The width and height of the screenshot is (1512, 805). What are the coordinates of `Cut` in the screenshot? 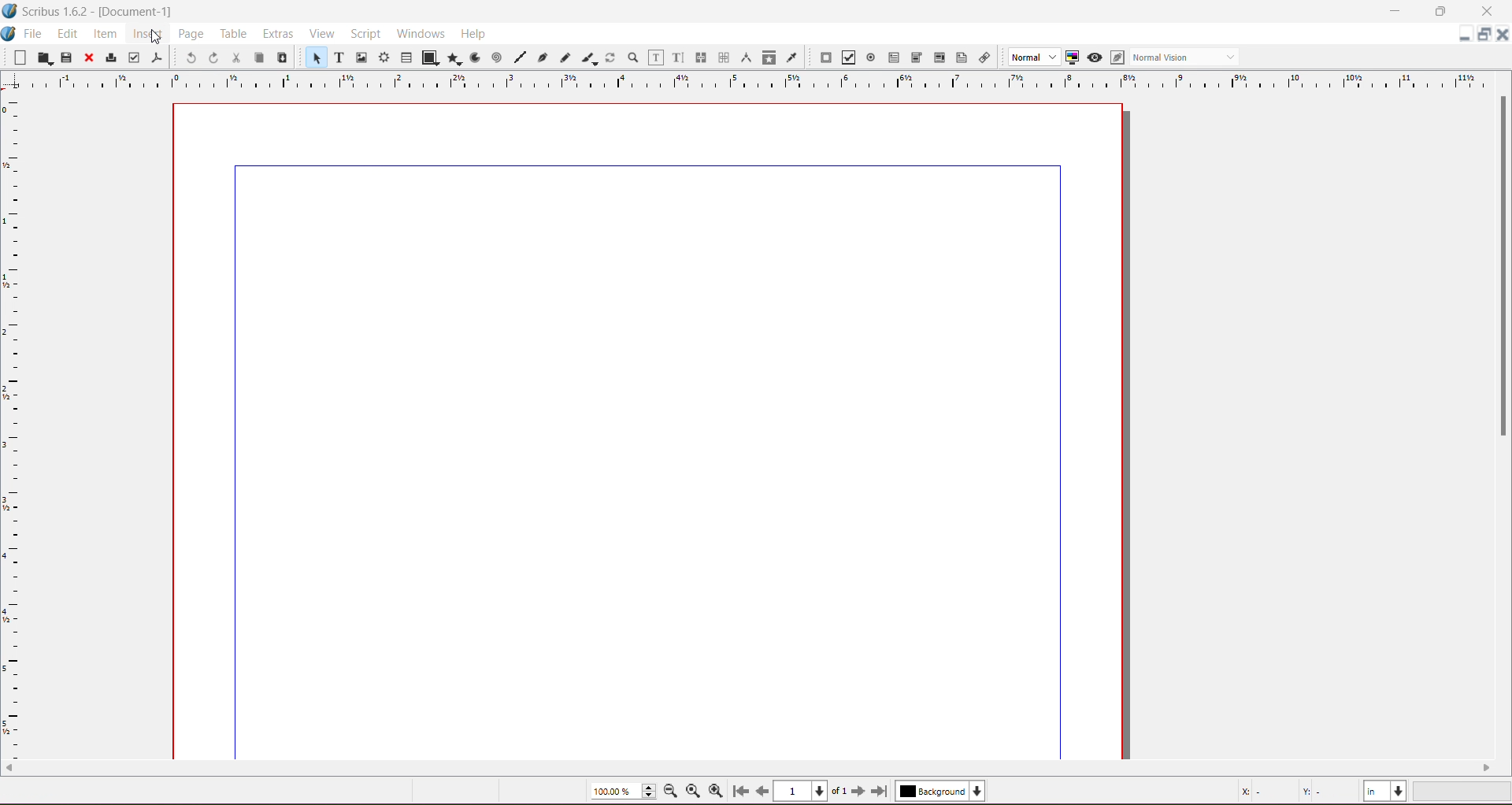 It's located at (236, 58).